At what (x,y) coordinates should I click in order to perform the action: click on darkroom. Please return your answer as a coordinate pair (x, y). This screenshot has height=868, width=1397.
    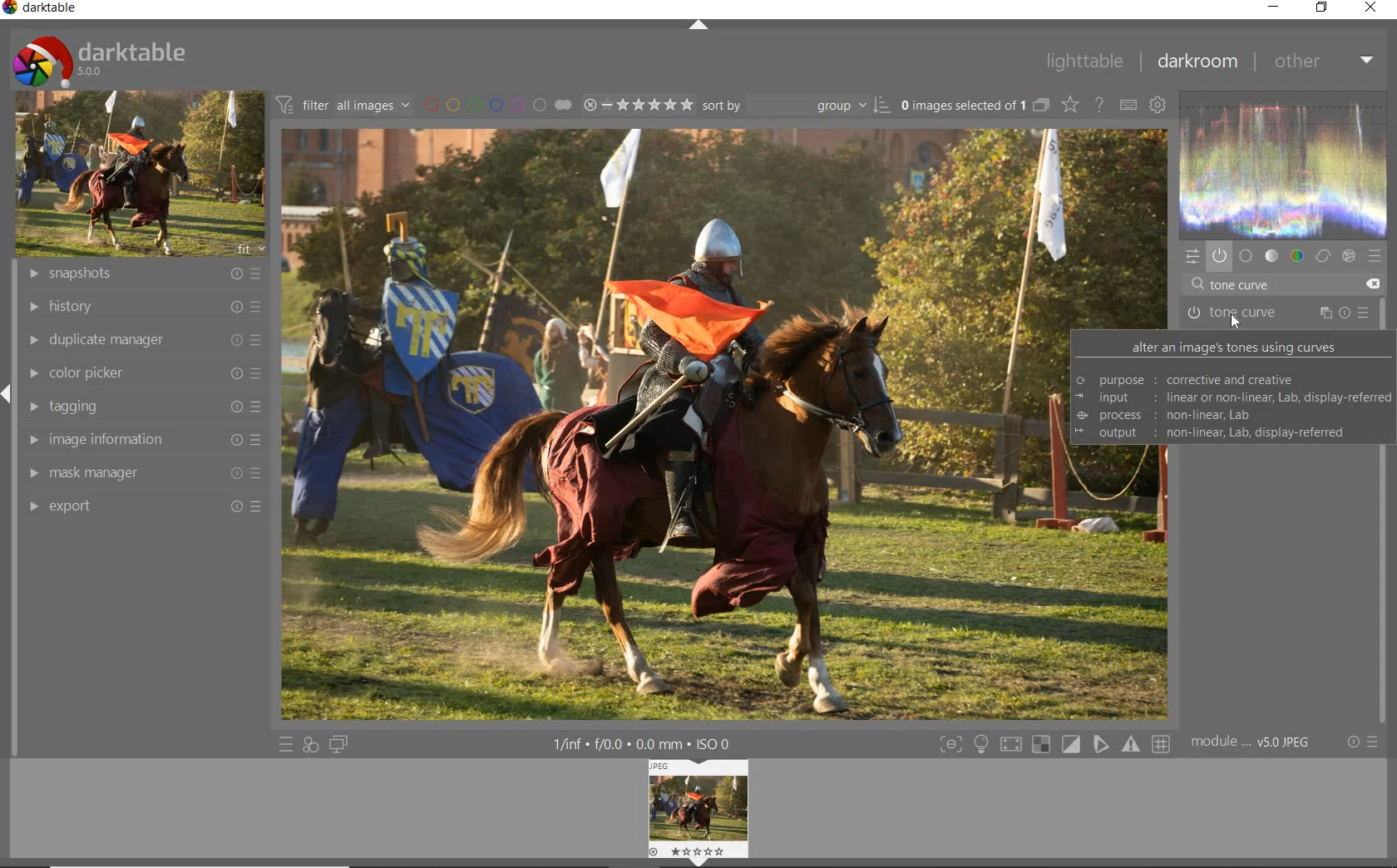
    Looking at the image, I should click on (1197, 63).